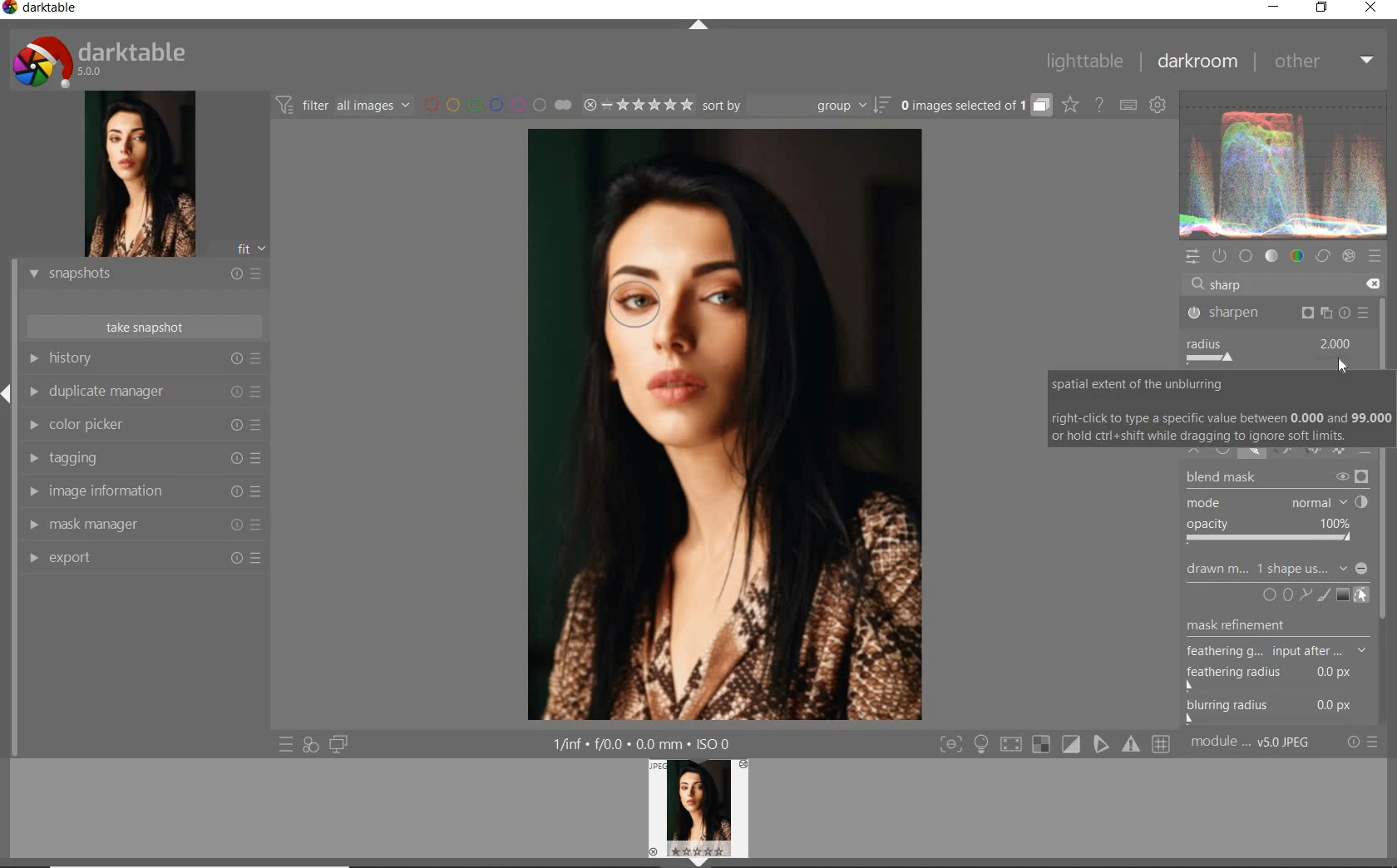 The width and height of the screenshot is (1397, 868). Describe the element at coordinates (143, 458) in the screenshot. I see `tagging` at that location.